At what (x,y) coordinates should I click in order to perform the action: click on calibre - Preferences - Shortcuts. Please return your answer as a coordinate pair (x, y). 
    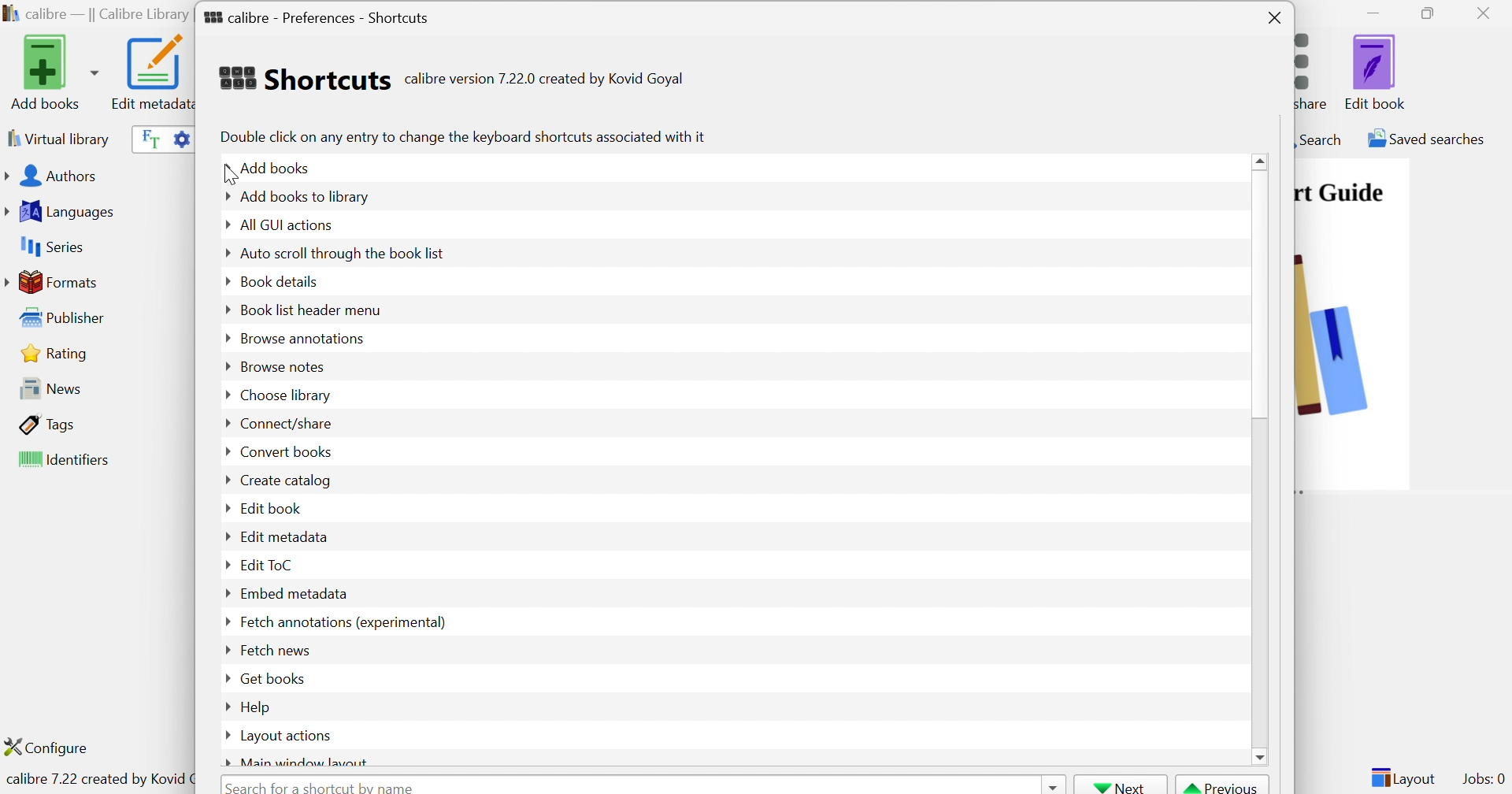
    Looking at the image, I should click on (317, 14).